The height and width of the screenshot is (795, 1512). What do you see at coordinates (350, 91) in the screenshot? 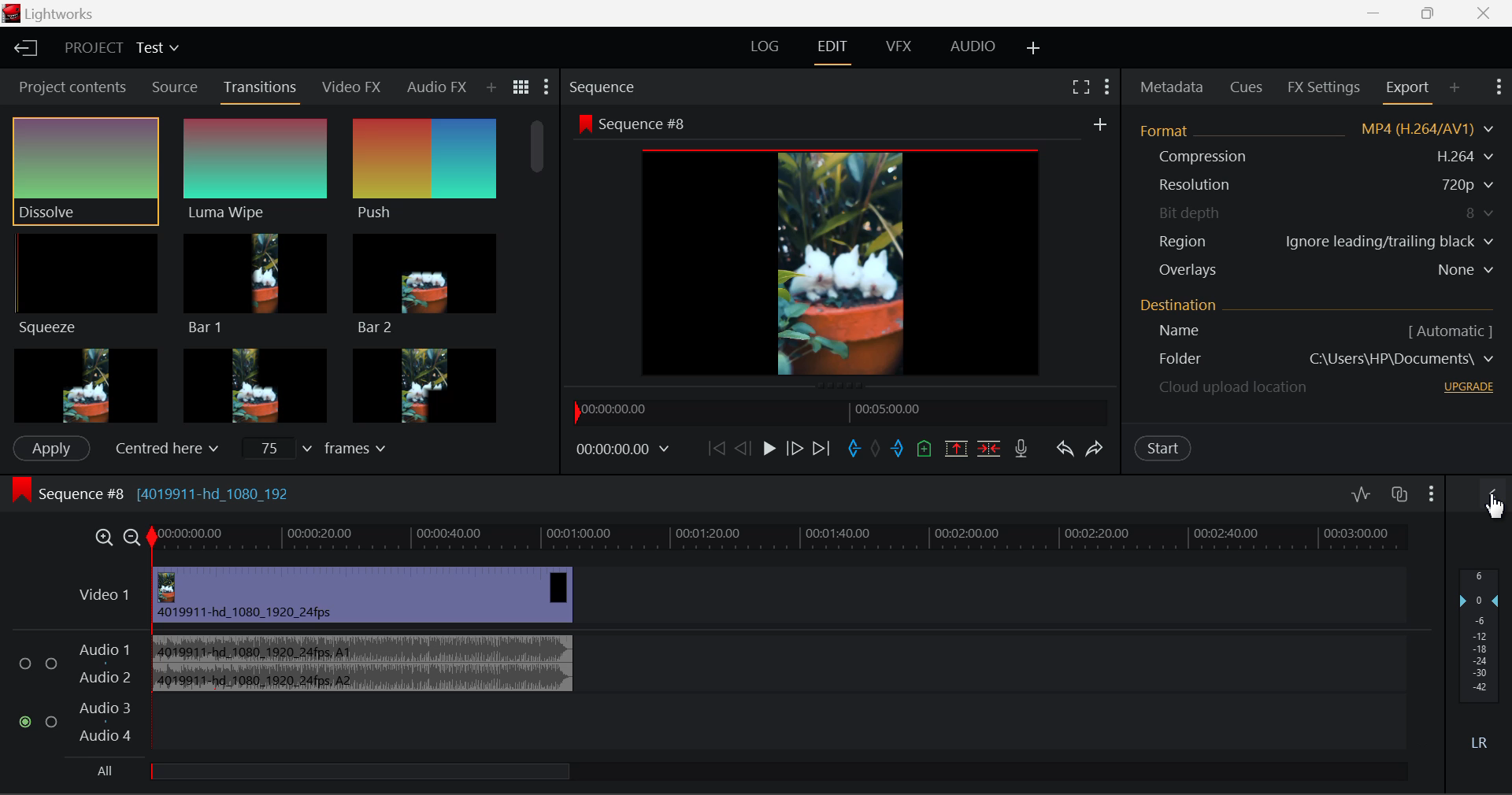
I see `Video FX` at bounding box center [350, 91].